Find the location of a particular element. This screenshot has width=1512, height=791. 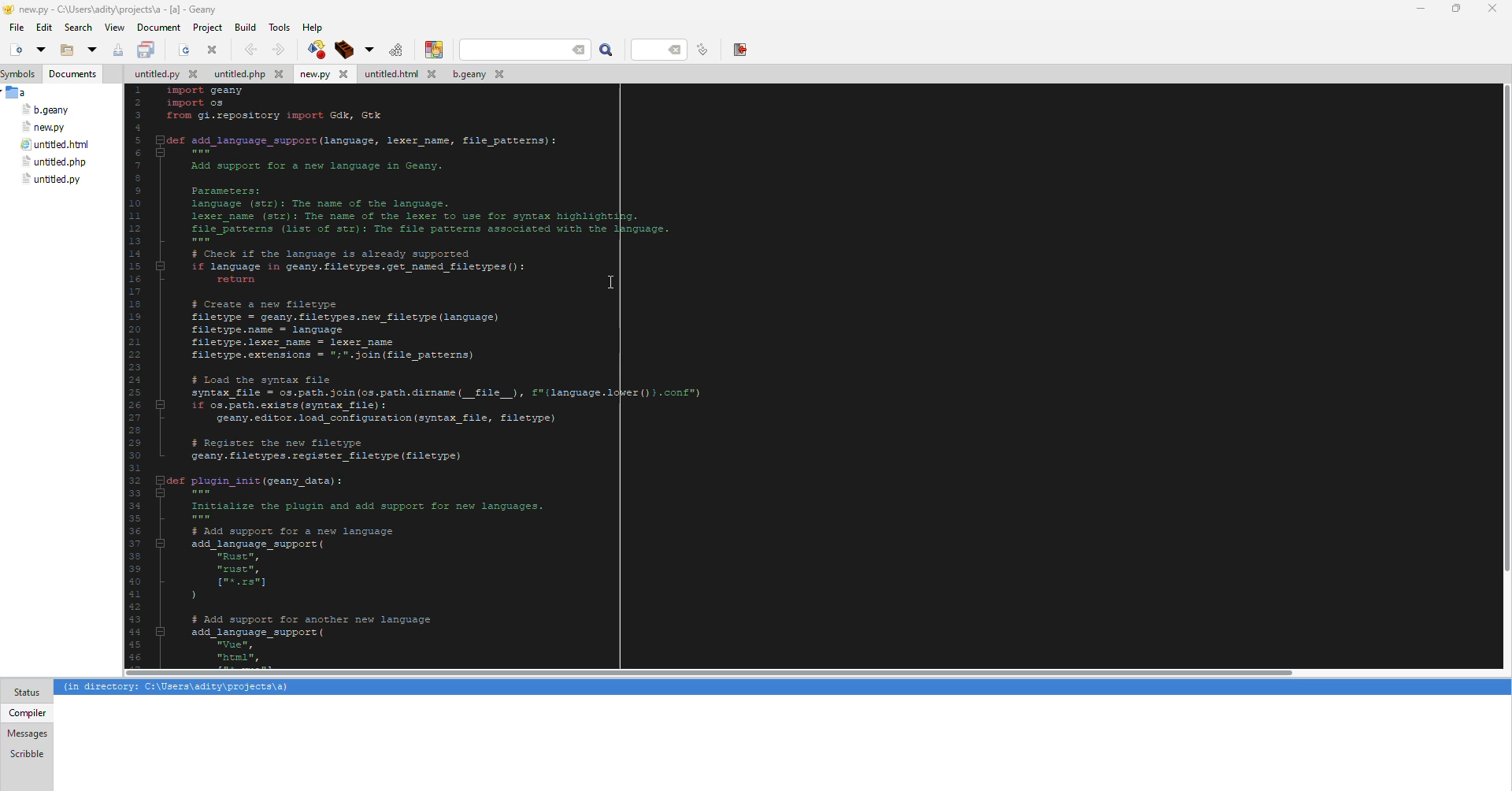

geany is located at coordinates (114, 11).